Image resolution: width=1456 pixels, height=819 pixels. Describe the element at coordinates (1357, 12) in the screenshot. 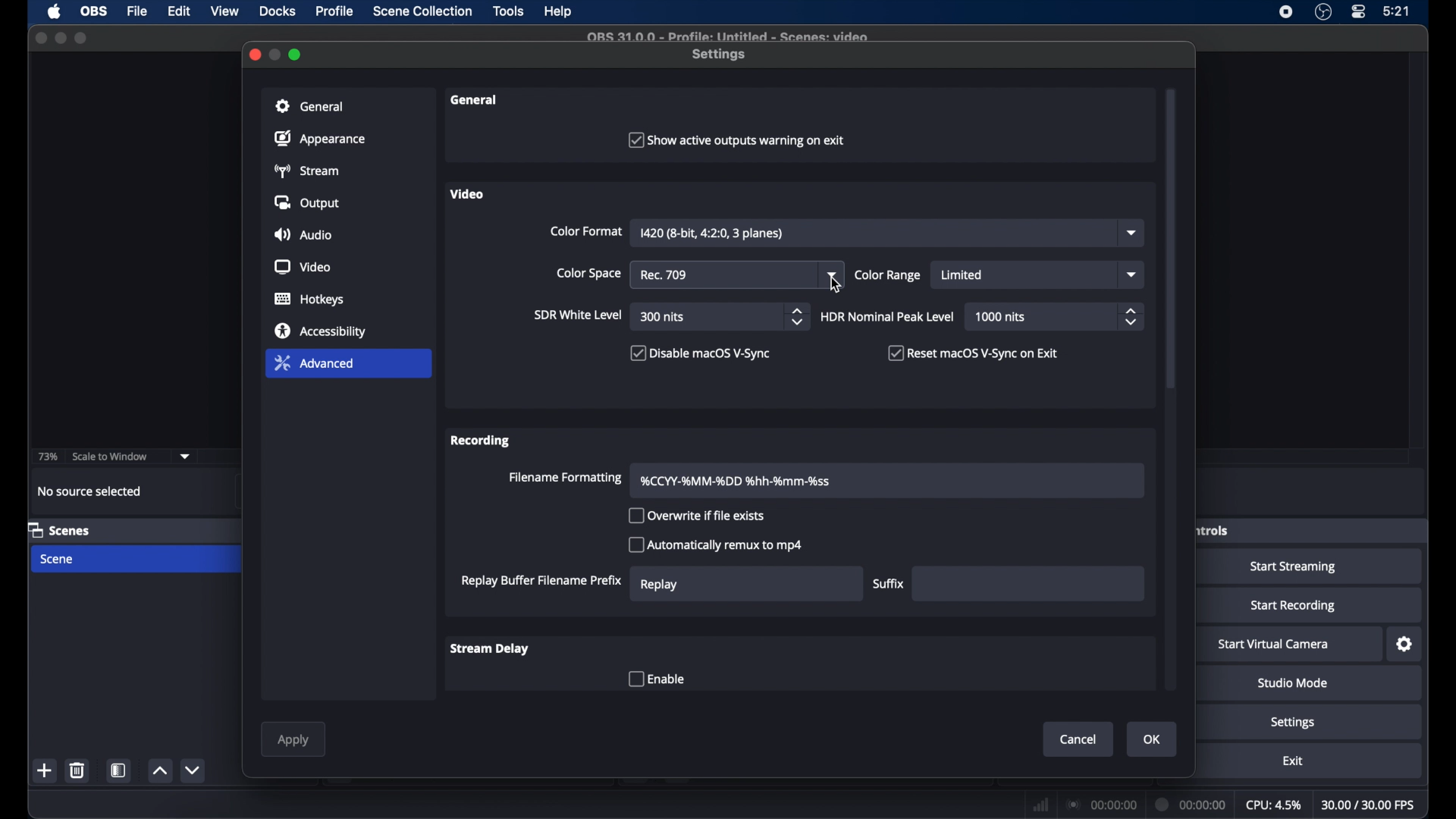

I see `control center` at that location.